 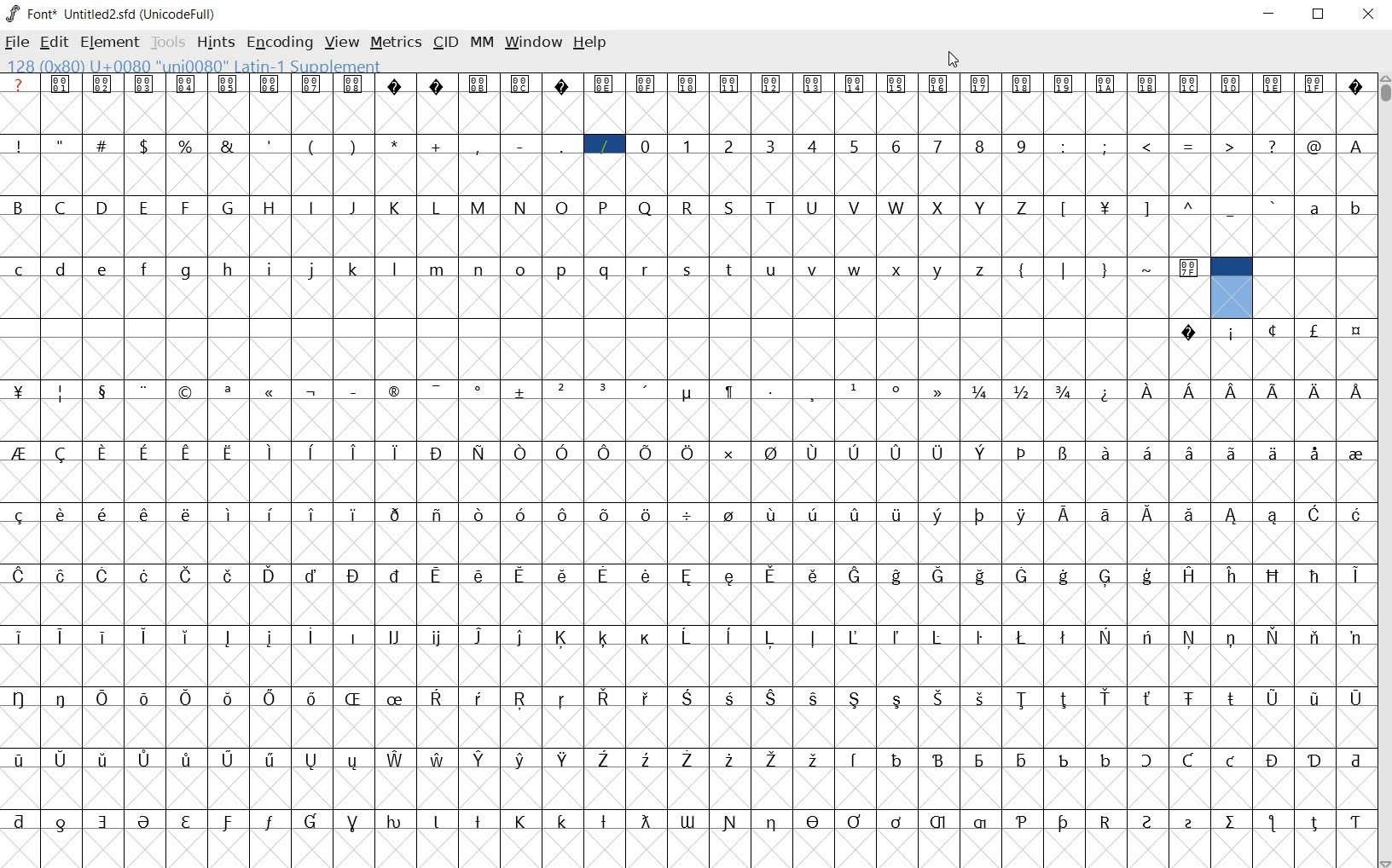 What do you see at coordinates (438, 145) in the screenshot?
I see `+` at bounding box center [438, 145].